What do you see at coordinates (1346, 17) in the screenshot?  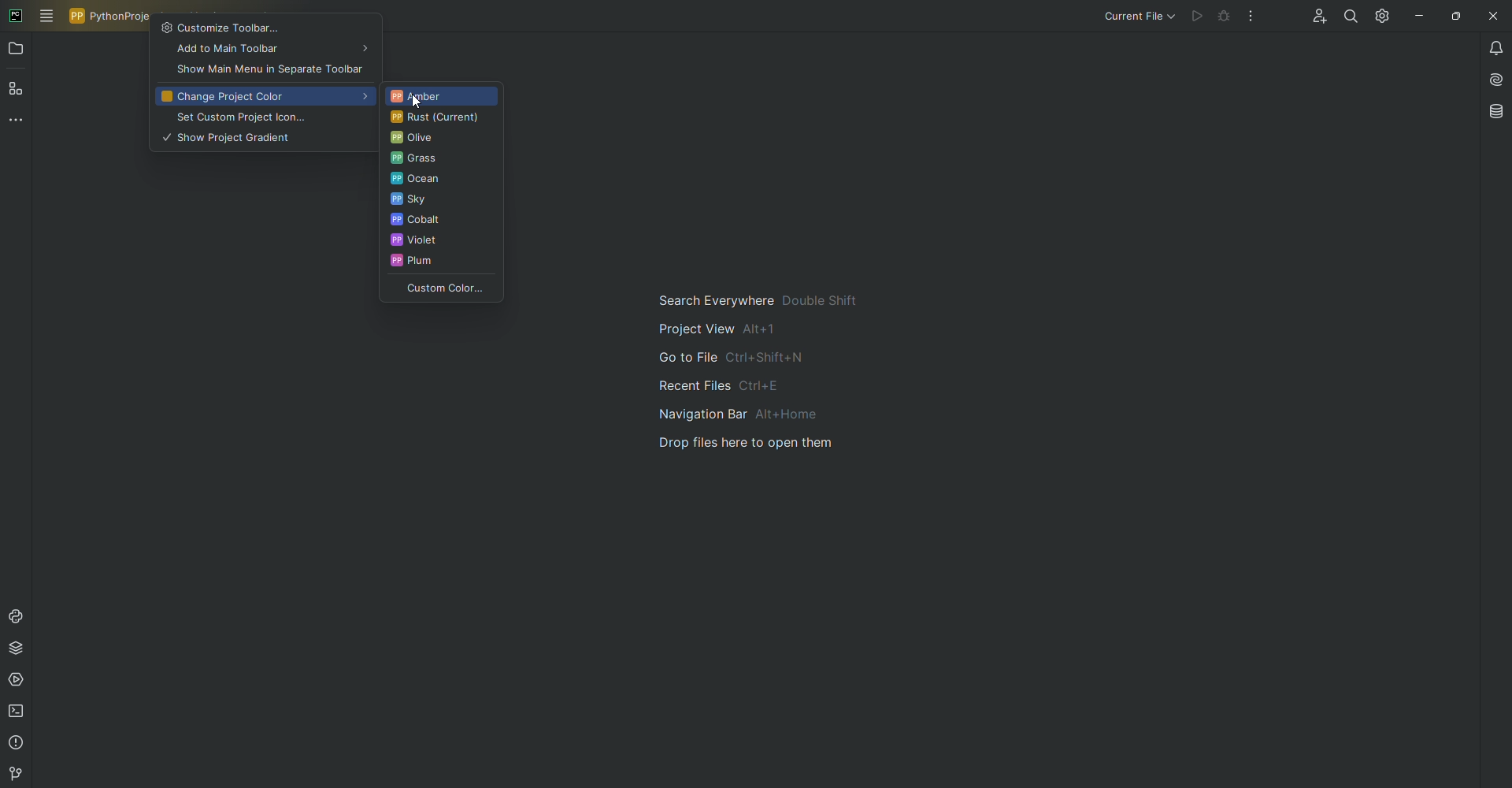 I see `Find` at bounding box center [1346, 17].